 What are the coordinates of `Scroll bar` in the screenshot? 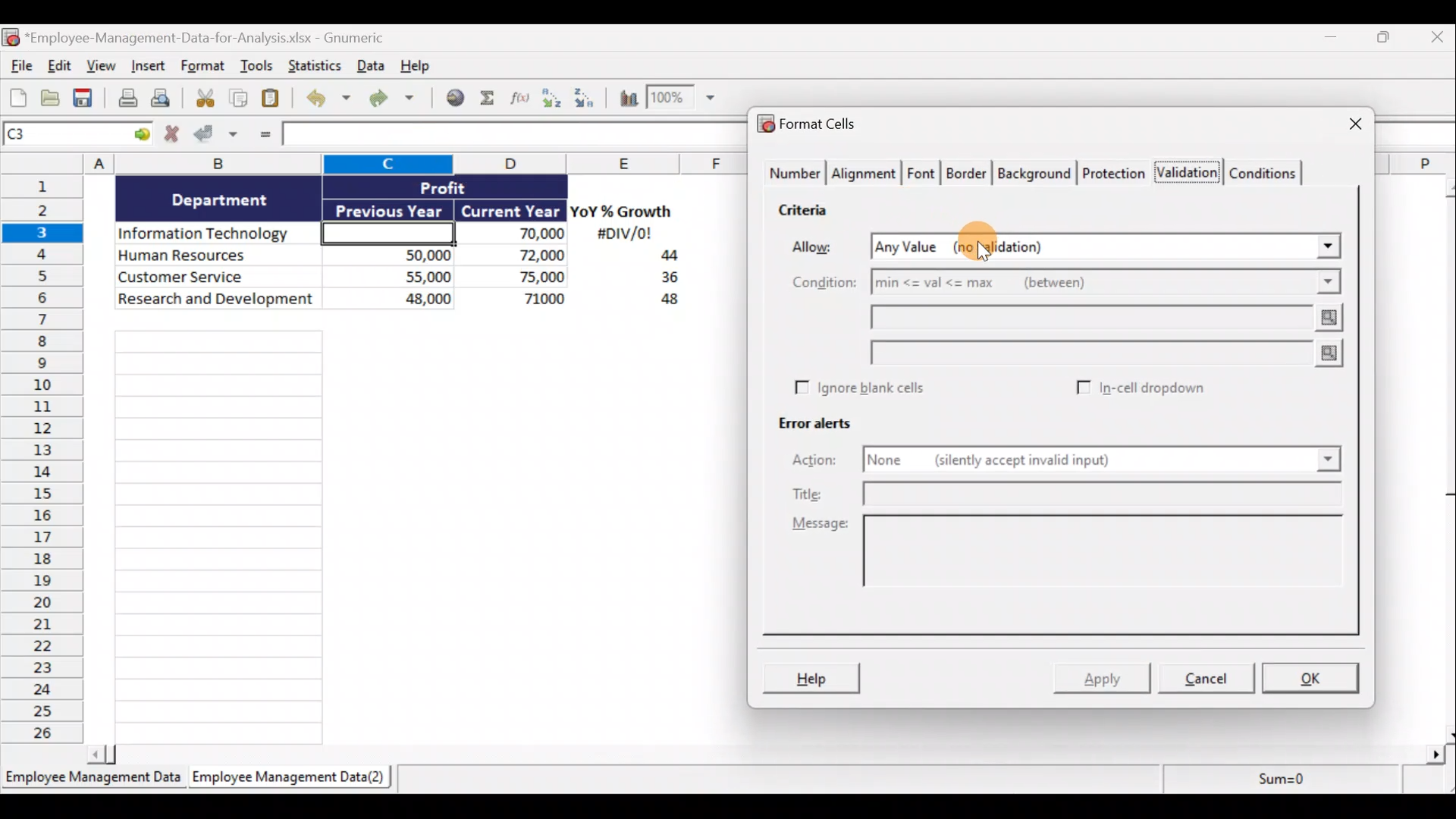 It's located at (771, 752).